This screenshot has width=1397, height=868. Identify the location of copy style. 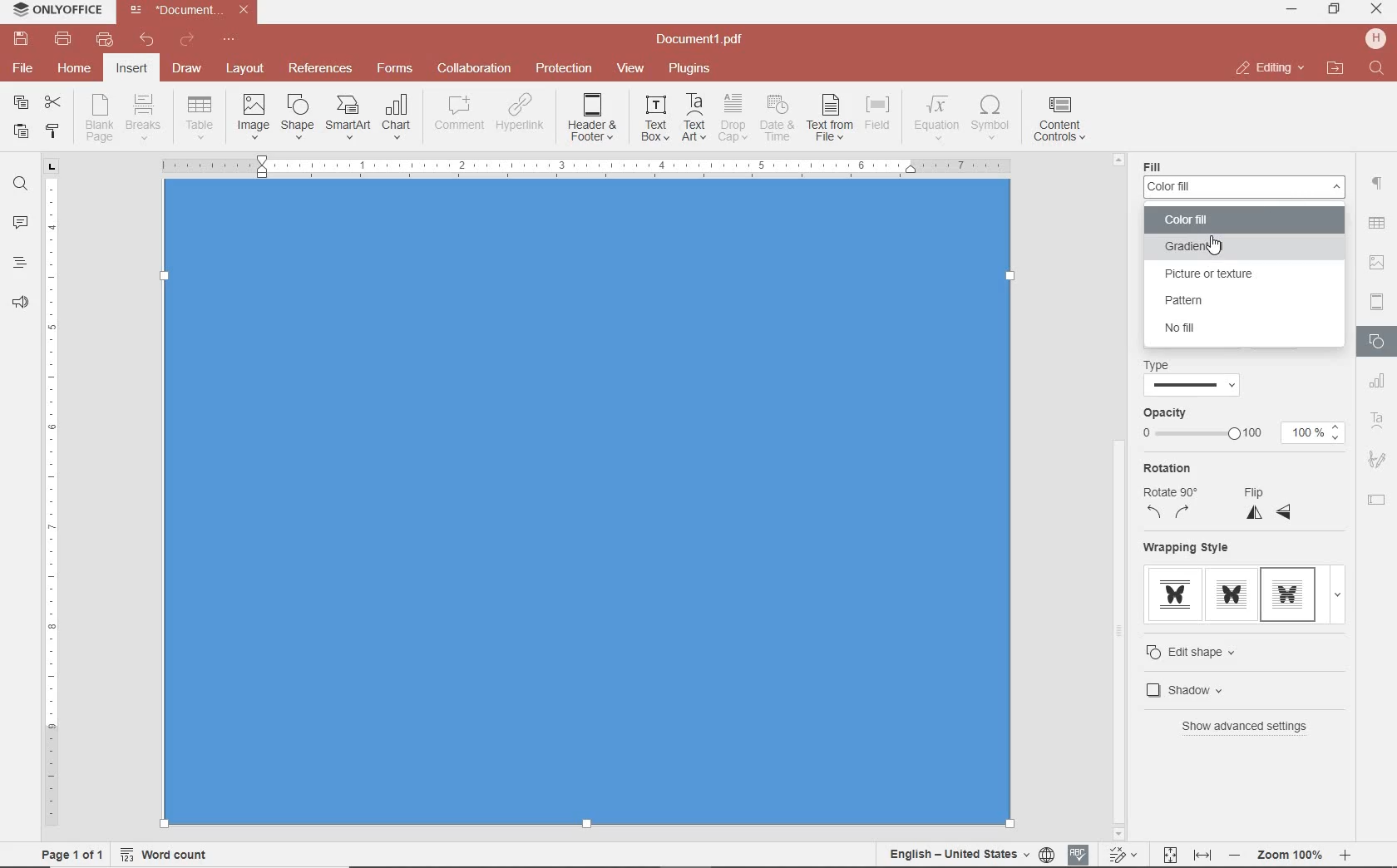
(51, 130).